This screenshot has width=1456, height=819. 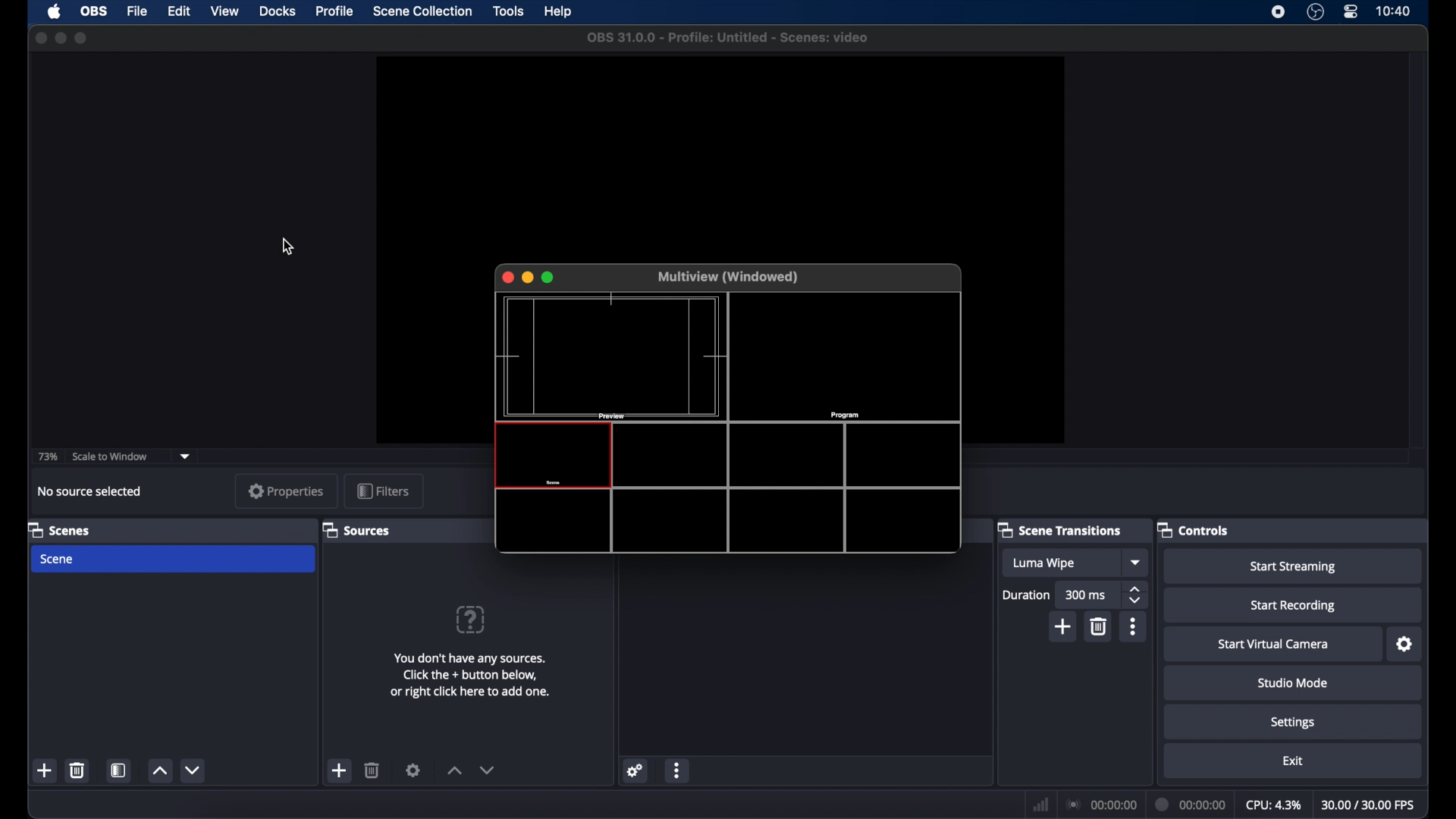 What do you see at coordinates (78, 770) in the screenshot?
I see `delete` at bounding box center [78, 770].